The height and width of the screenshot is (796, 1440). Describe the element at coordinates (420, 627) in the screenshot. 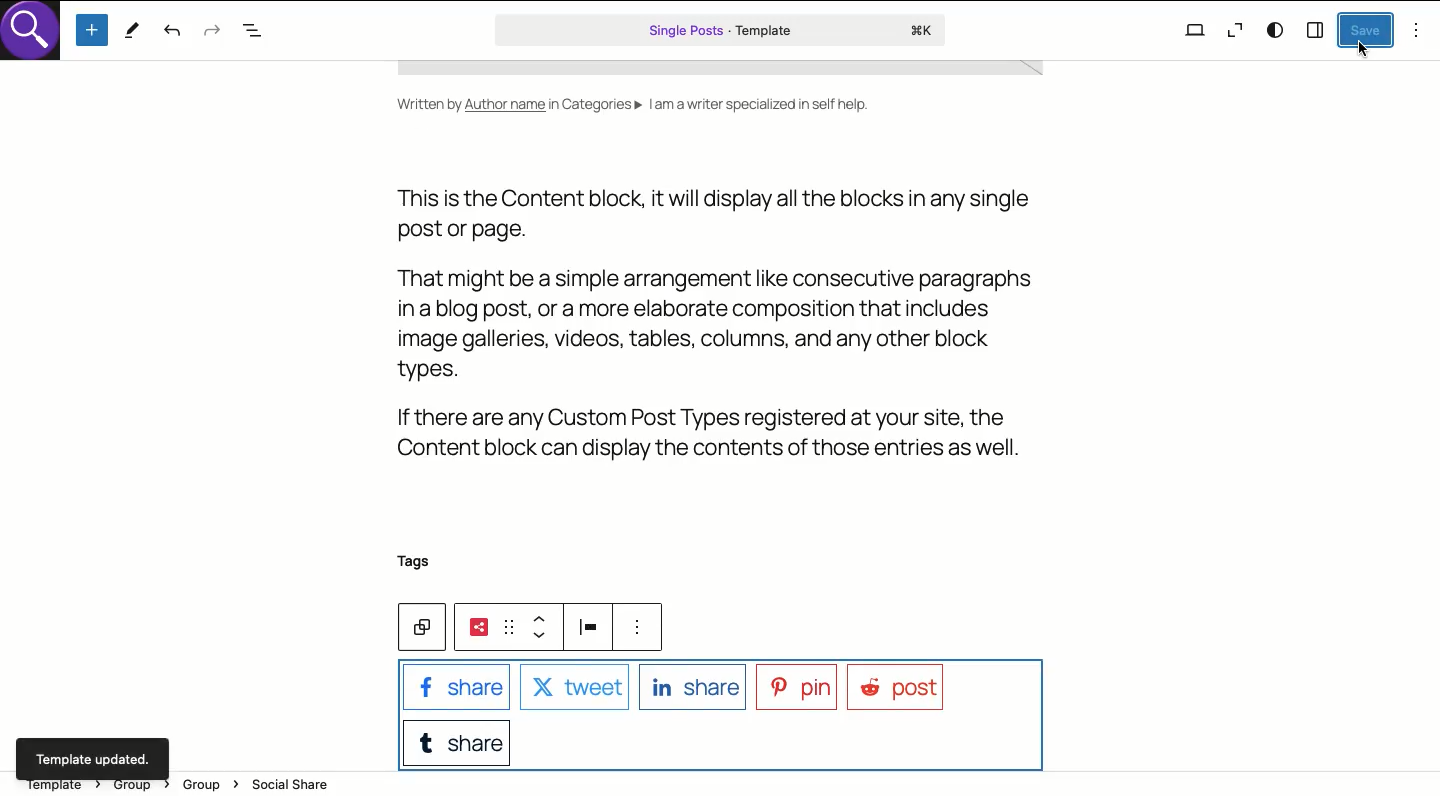

I see `Parent block` at that location.